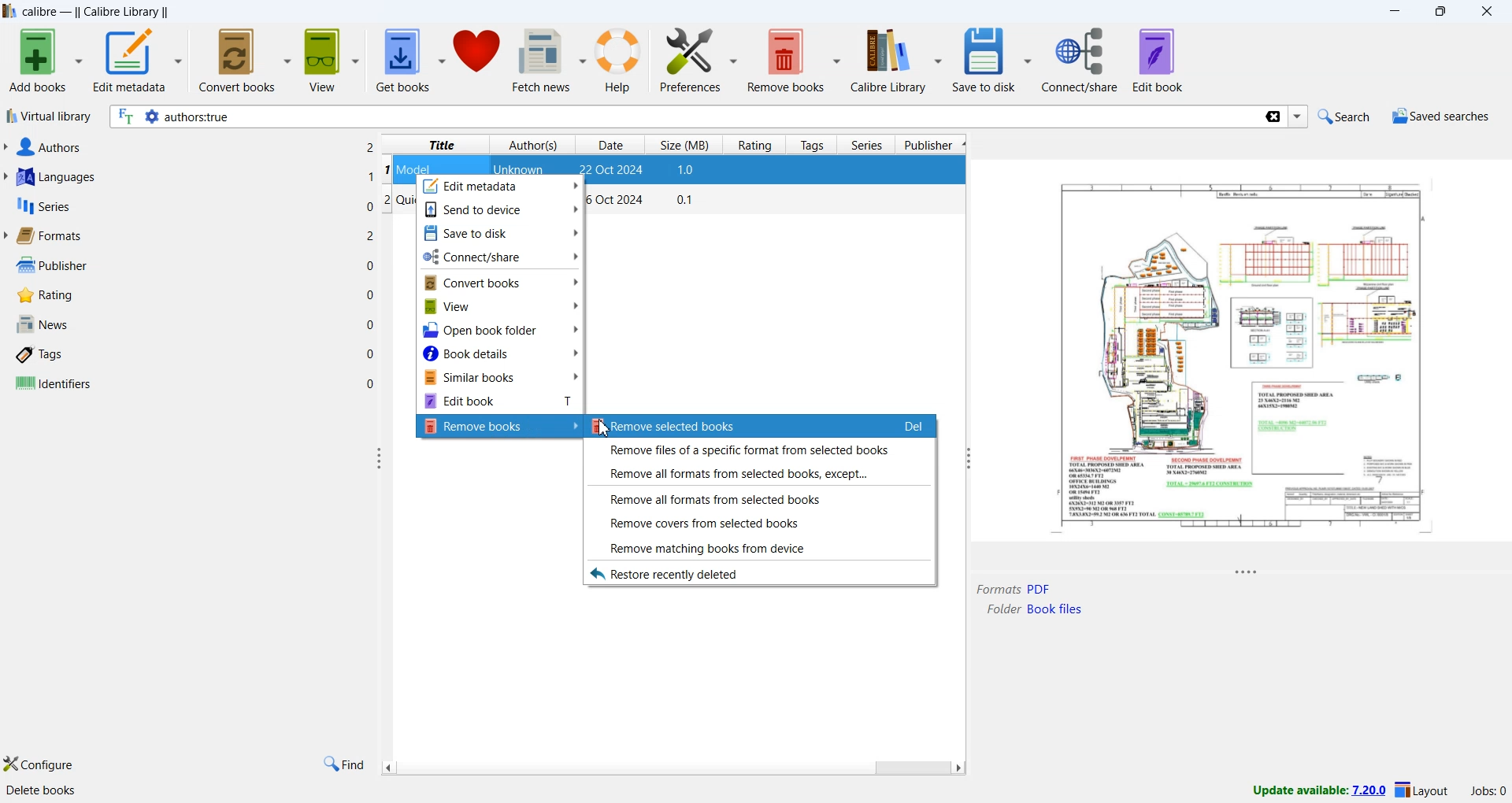  Describe the element at coordinates (1272, 118) in the screenshot. I see `clear search` at that location.